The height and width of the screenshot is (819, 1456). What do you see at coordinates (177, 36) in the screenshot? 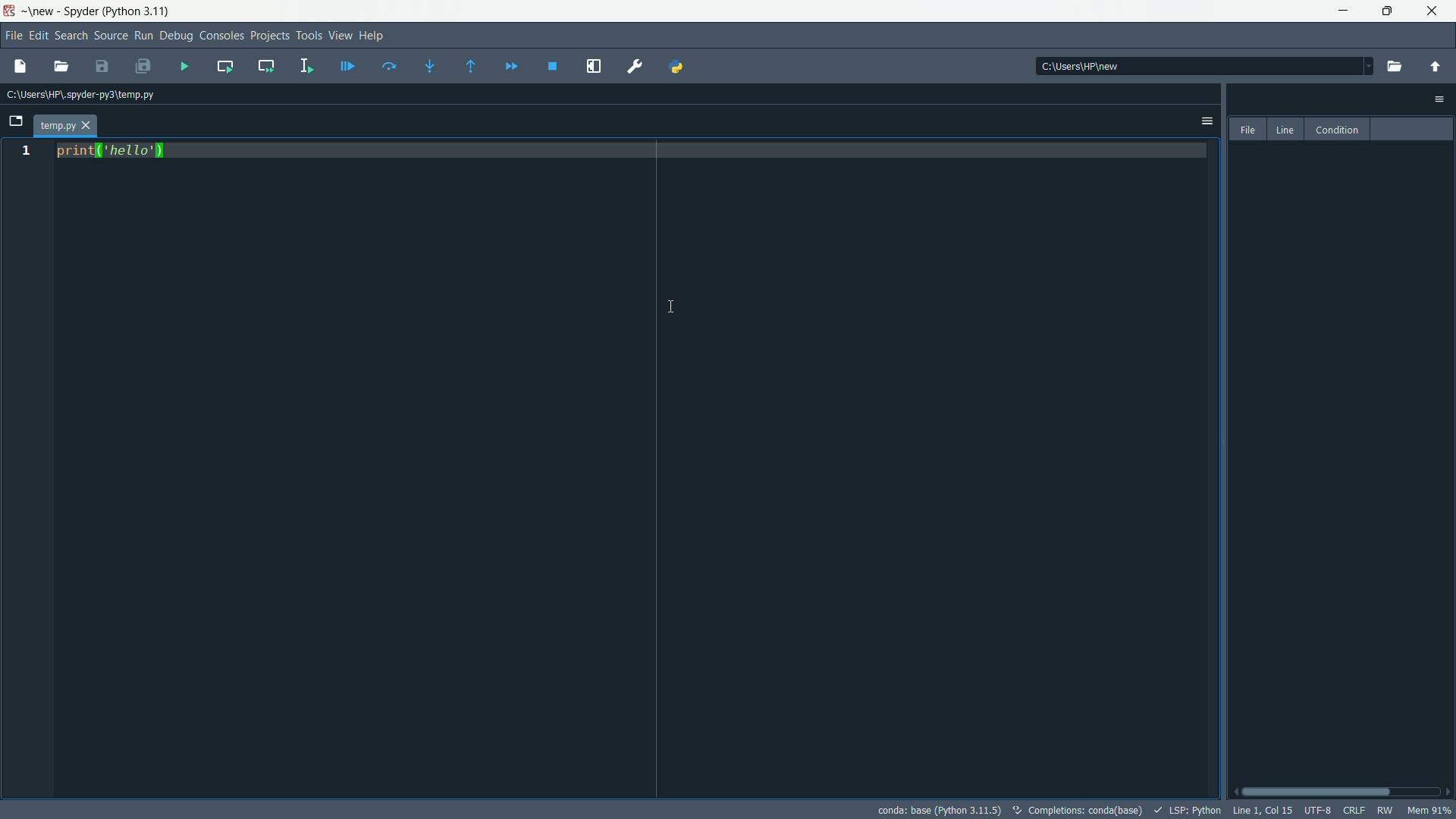
I see `debug menu` at bounding box center [177, 36].